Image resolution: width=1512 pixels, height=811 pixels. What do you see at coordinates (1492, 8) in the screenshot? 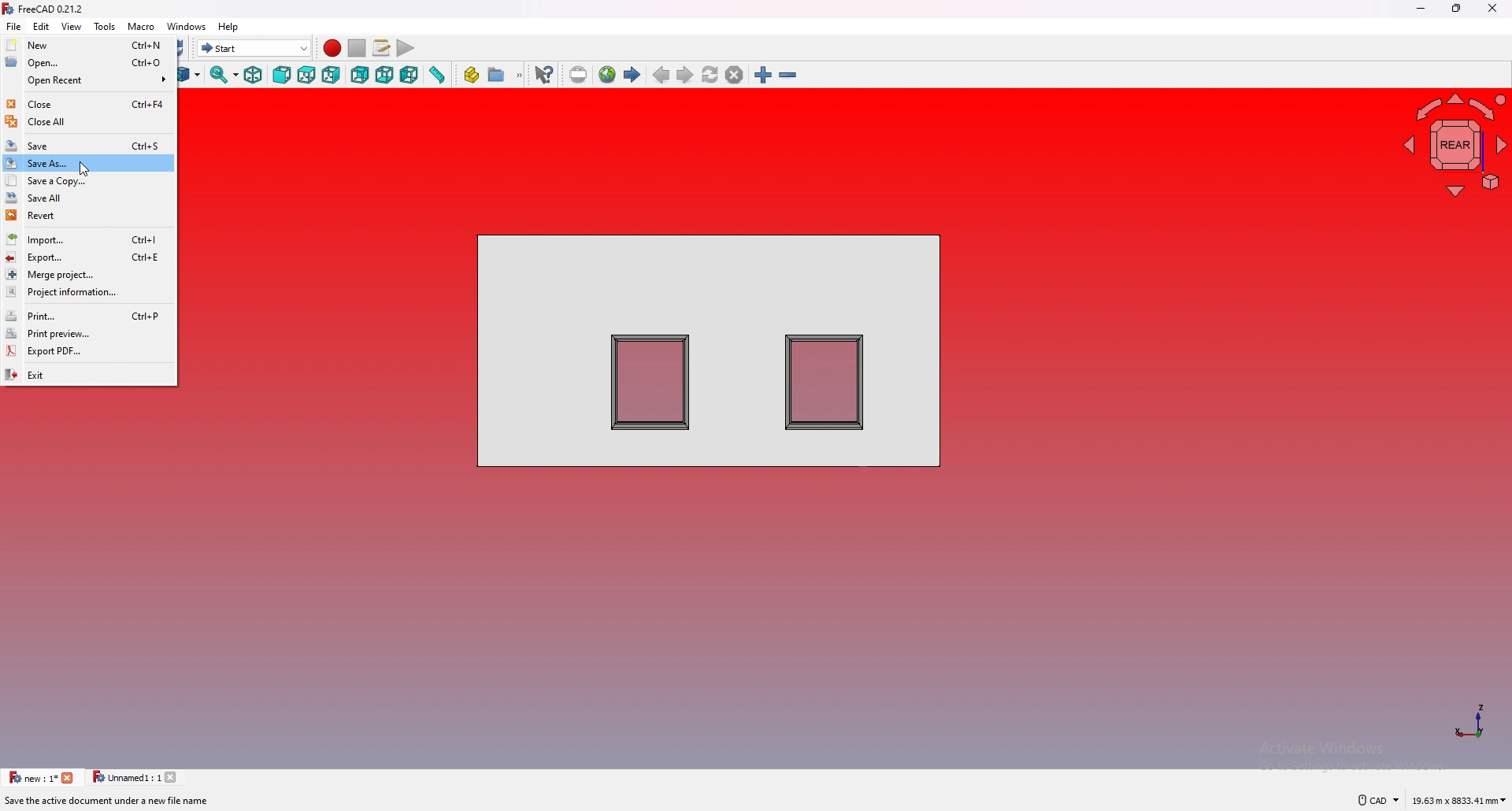
I see `close` at bounding box center [1492, 8].